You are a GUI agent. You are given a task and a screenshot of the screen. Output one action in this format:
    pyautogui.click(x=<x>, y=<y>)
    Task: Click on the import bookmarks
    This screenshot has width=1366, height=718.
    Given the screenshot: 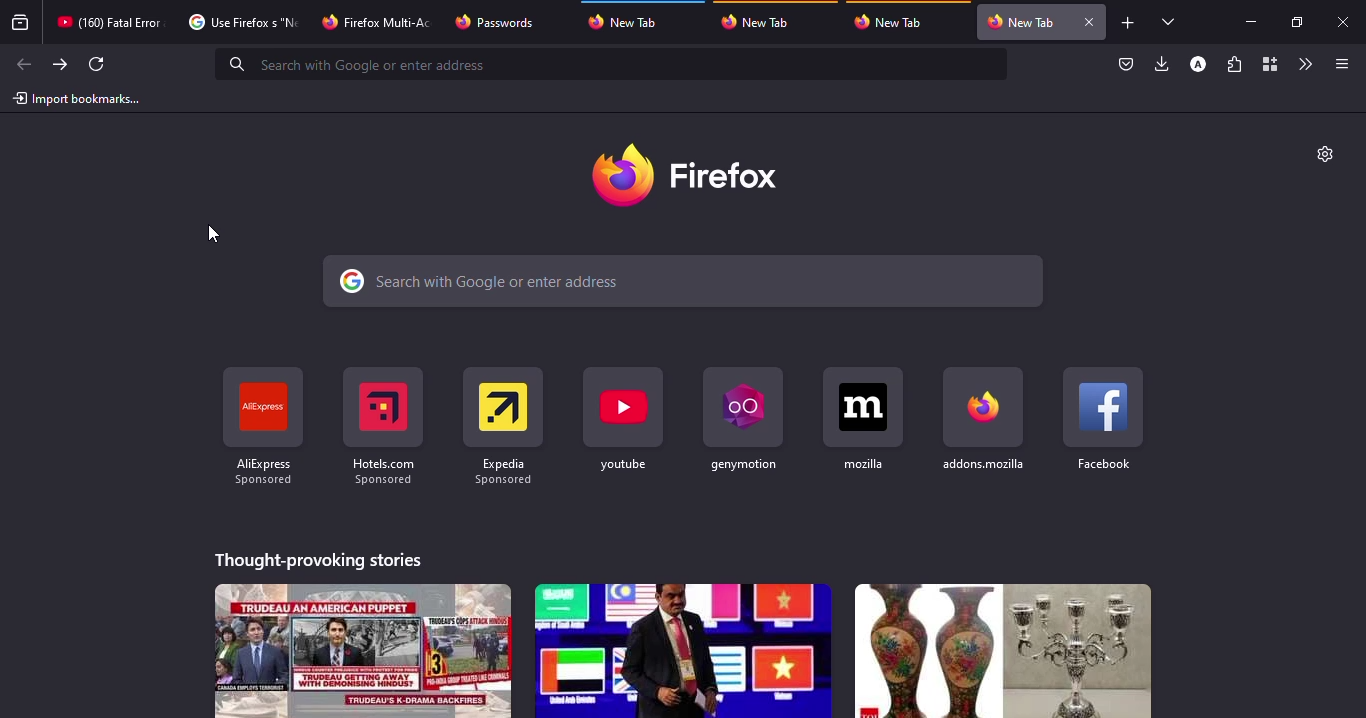 What is the action you would take?
    pyautogui.click(x=81, y=97)
    